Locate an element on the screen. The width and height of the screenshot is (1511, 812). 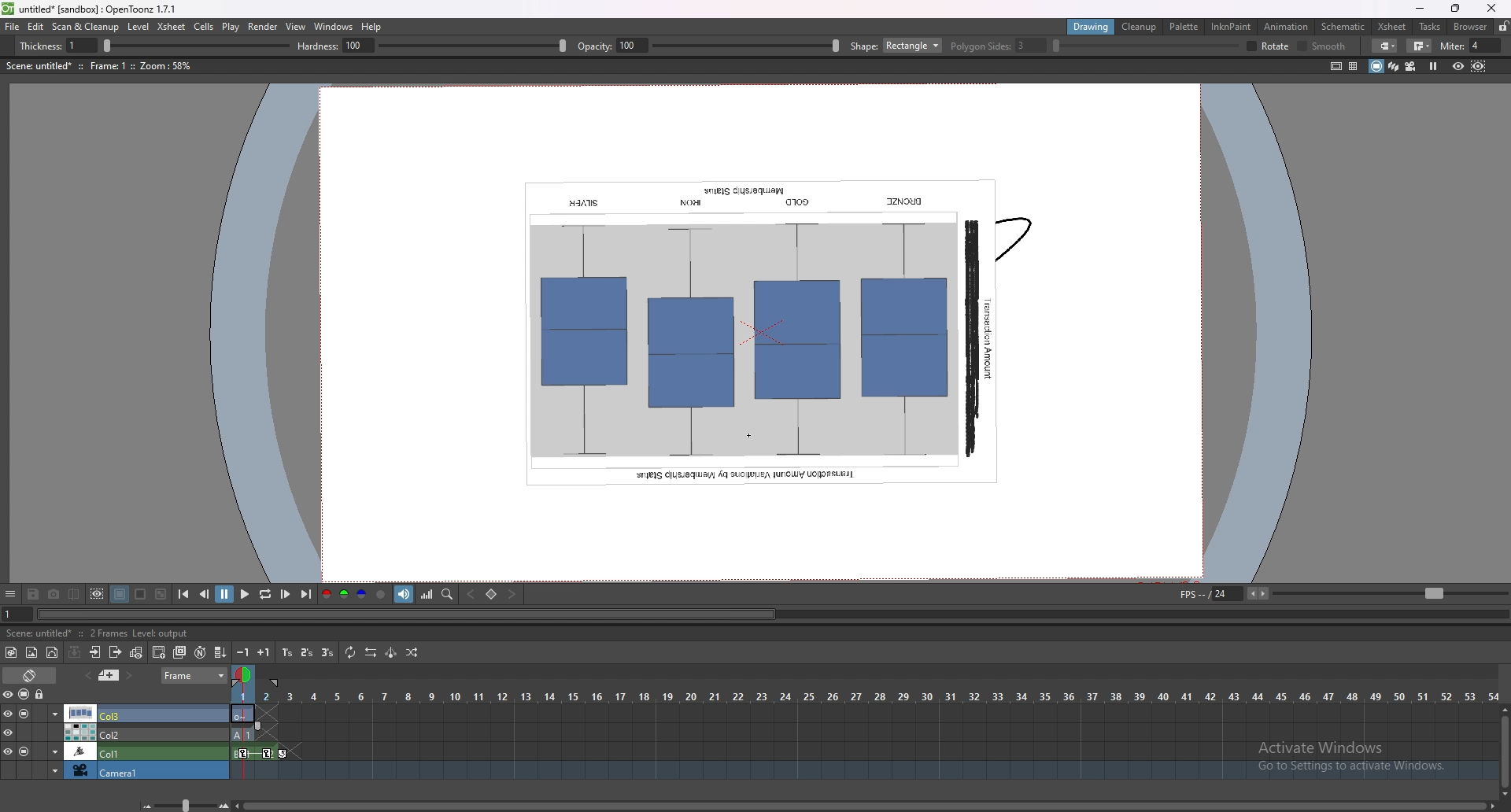
open x subsheet is located at coordinates (95, 652).